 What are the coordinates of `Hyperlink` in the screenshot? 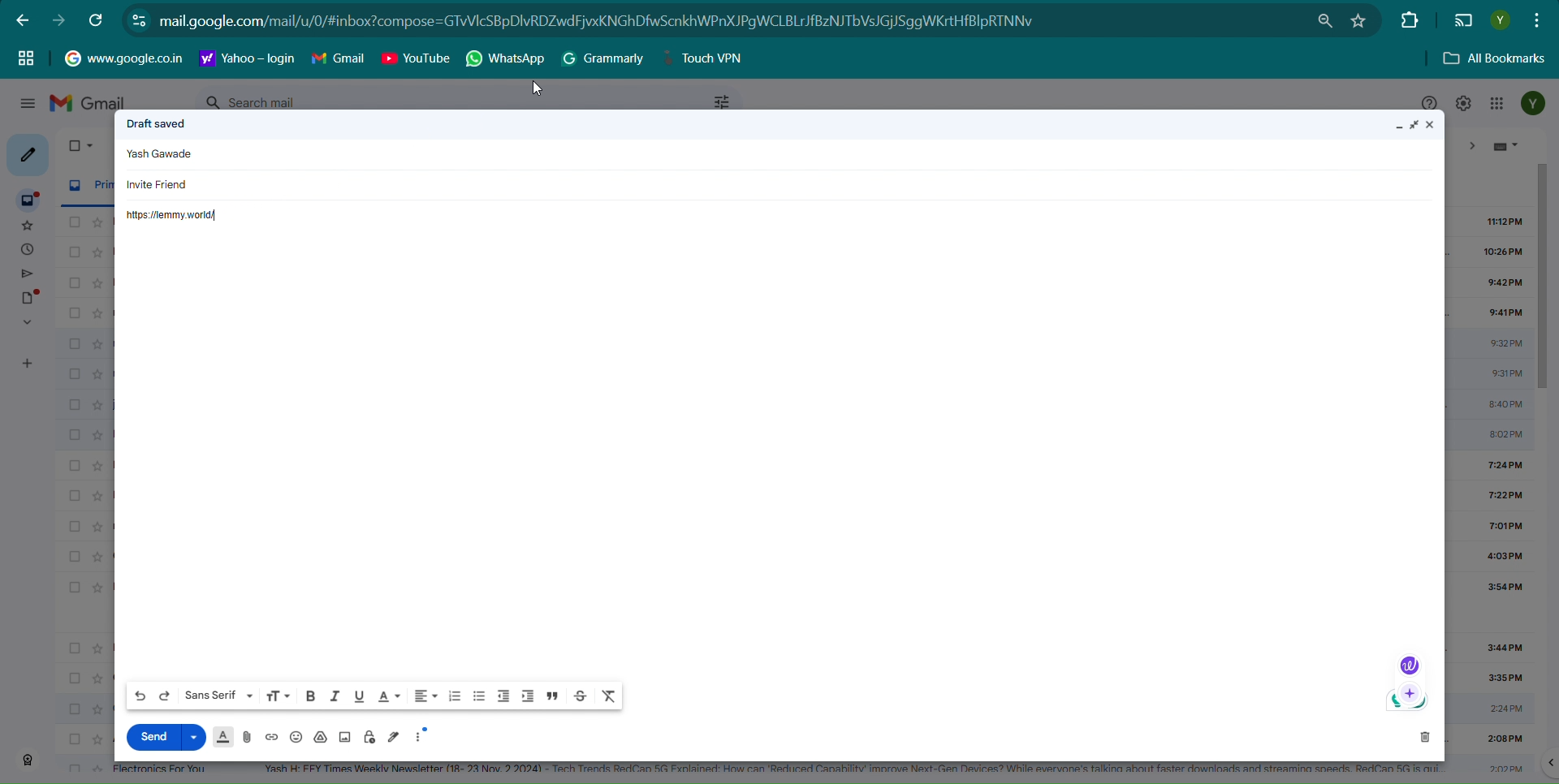 It's located at (123, 57).